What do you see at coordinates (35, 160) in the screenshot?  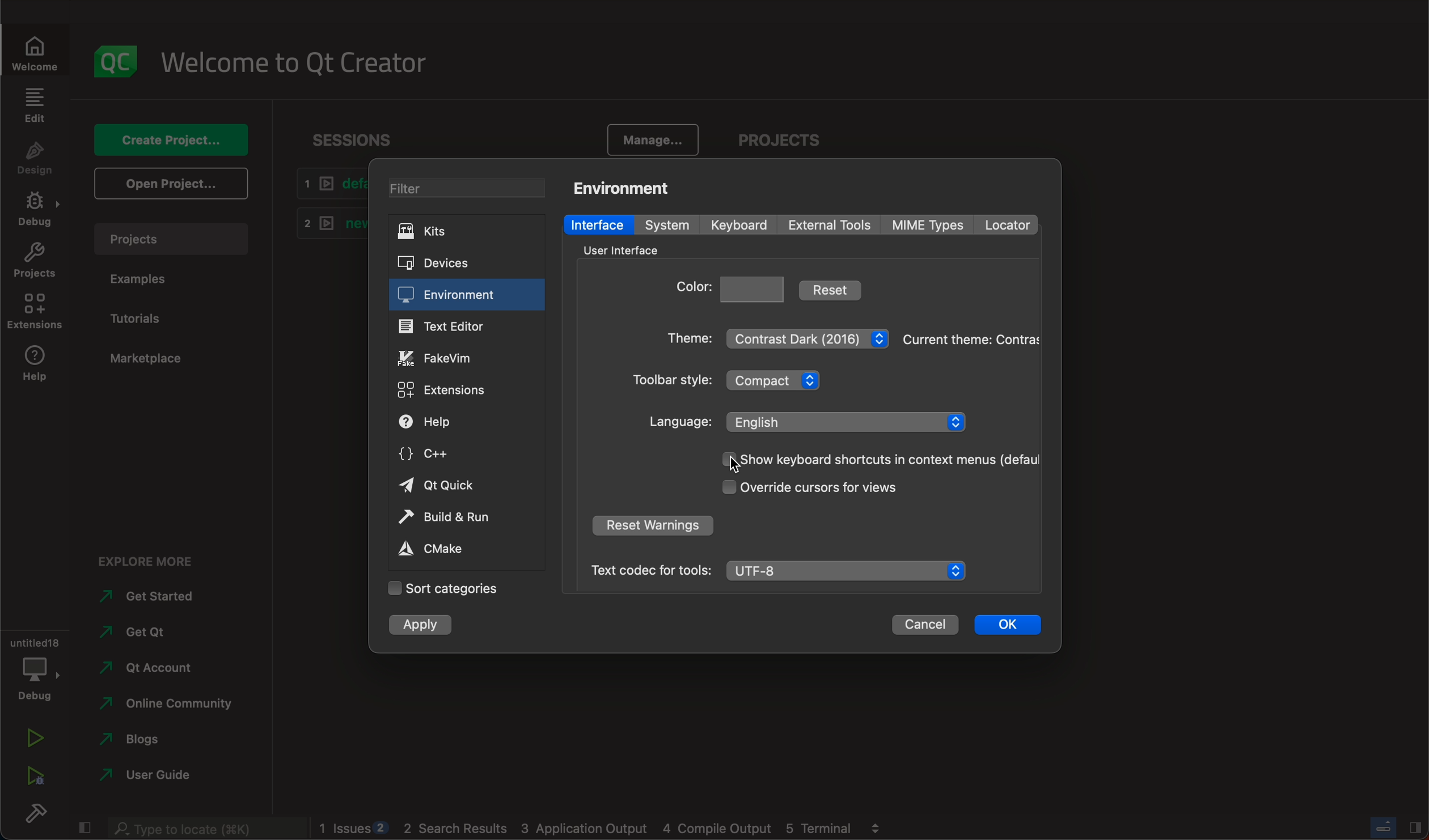 I see `design` at bounding box center [35, 160].